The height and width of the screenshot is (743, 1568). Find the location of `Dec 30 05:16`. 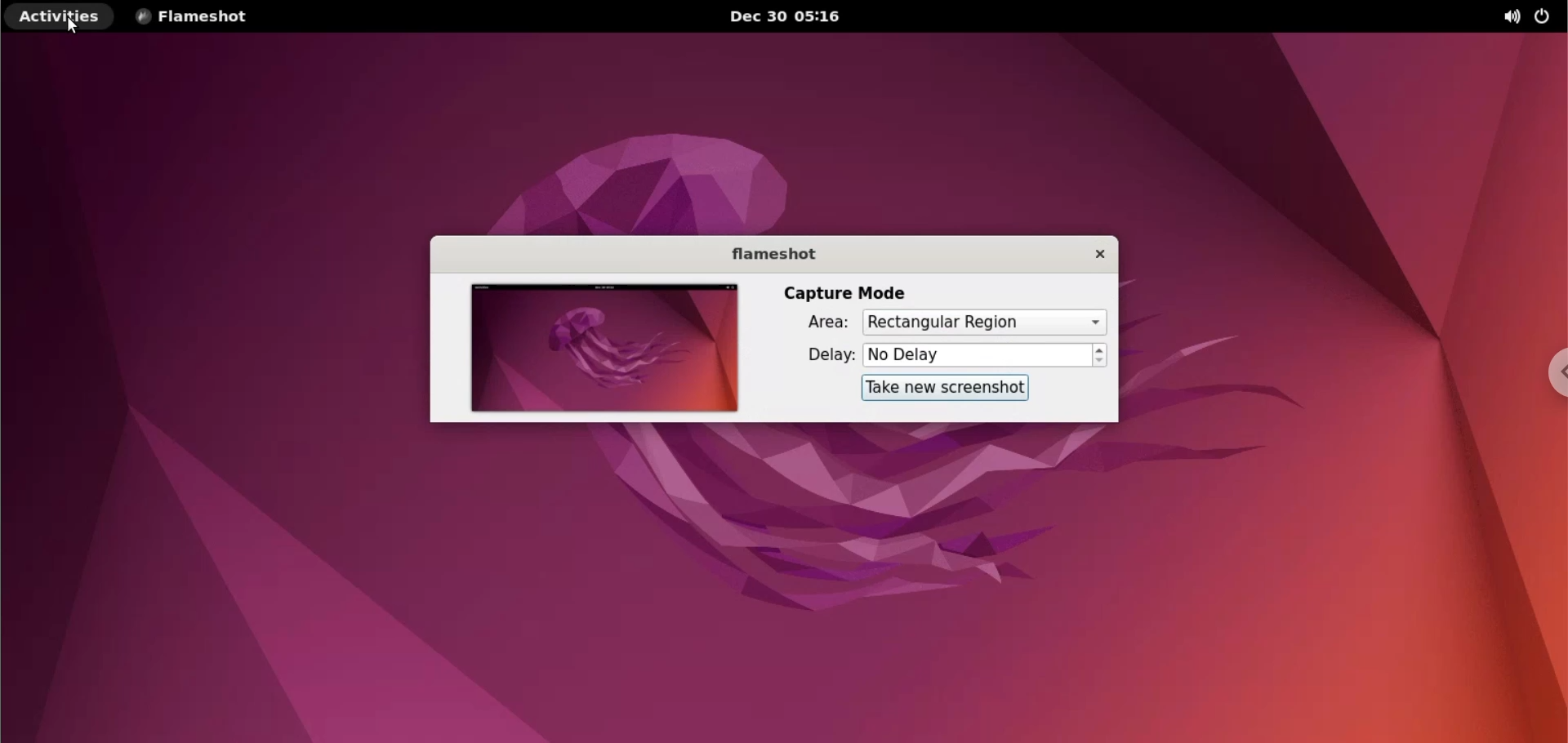

Dec 30 05:16 is located at coordinates (792, 16).